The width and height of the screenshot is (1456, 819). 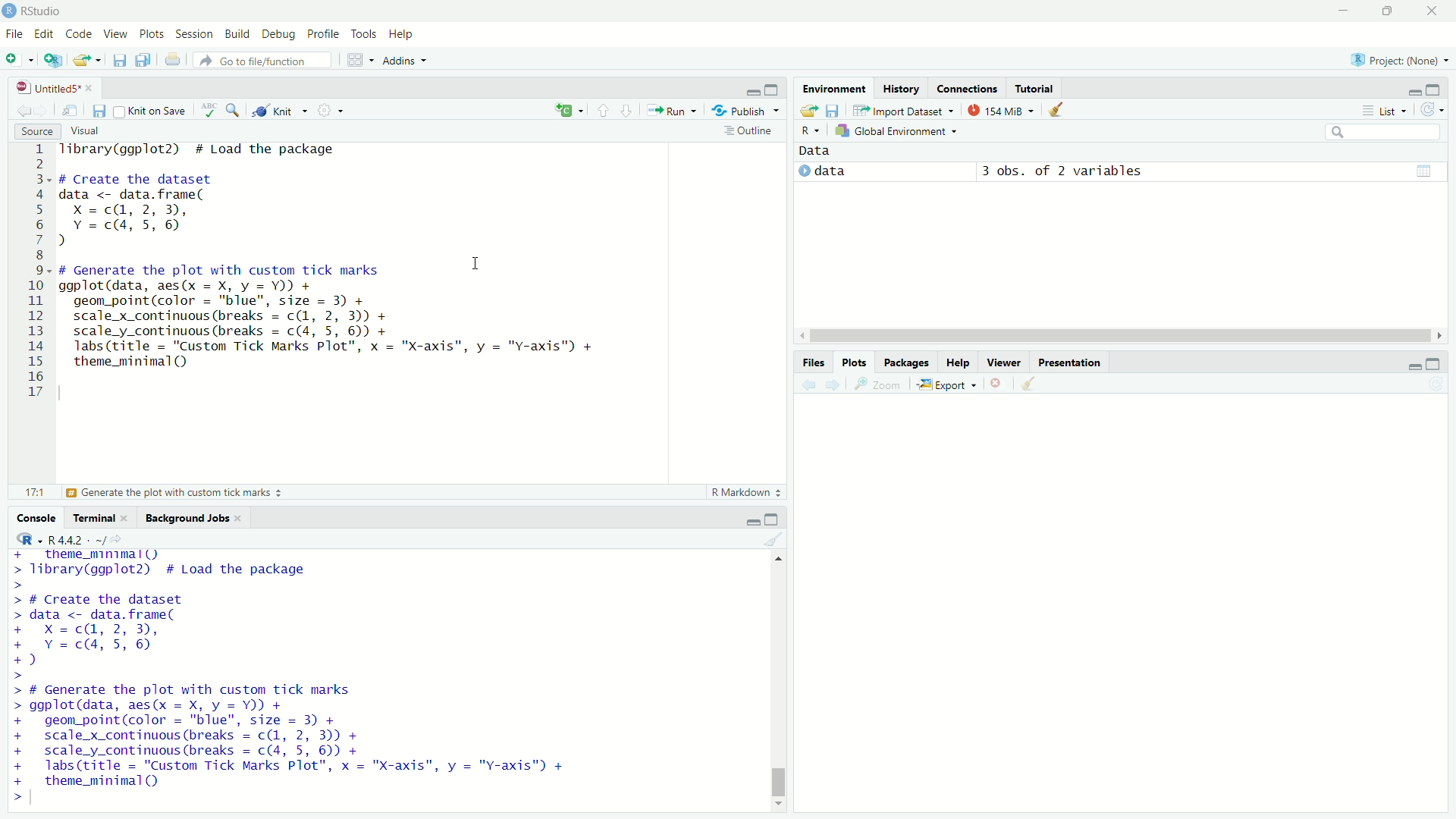 I want to click on code to create the dataset, so click(x=190, y=209).